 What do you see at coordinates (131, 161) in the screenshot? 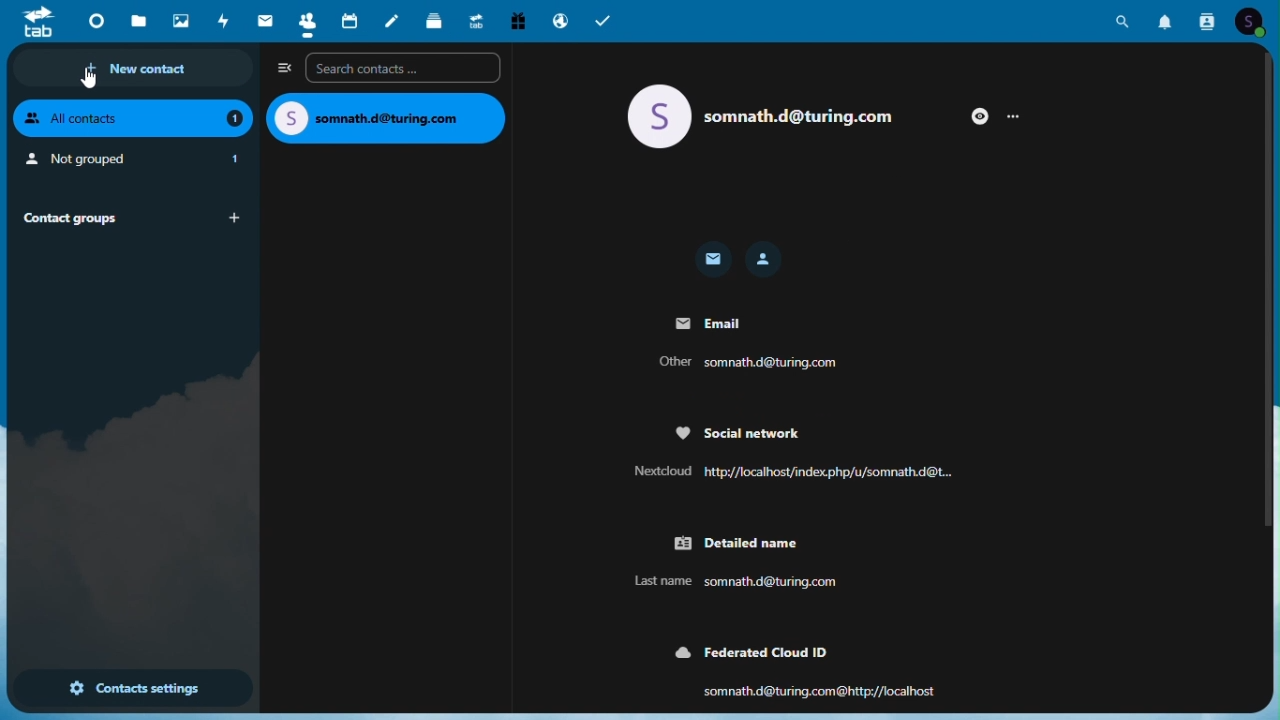
I see `Not grouped` at bounding box center [131, 161].